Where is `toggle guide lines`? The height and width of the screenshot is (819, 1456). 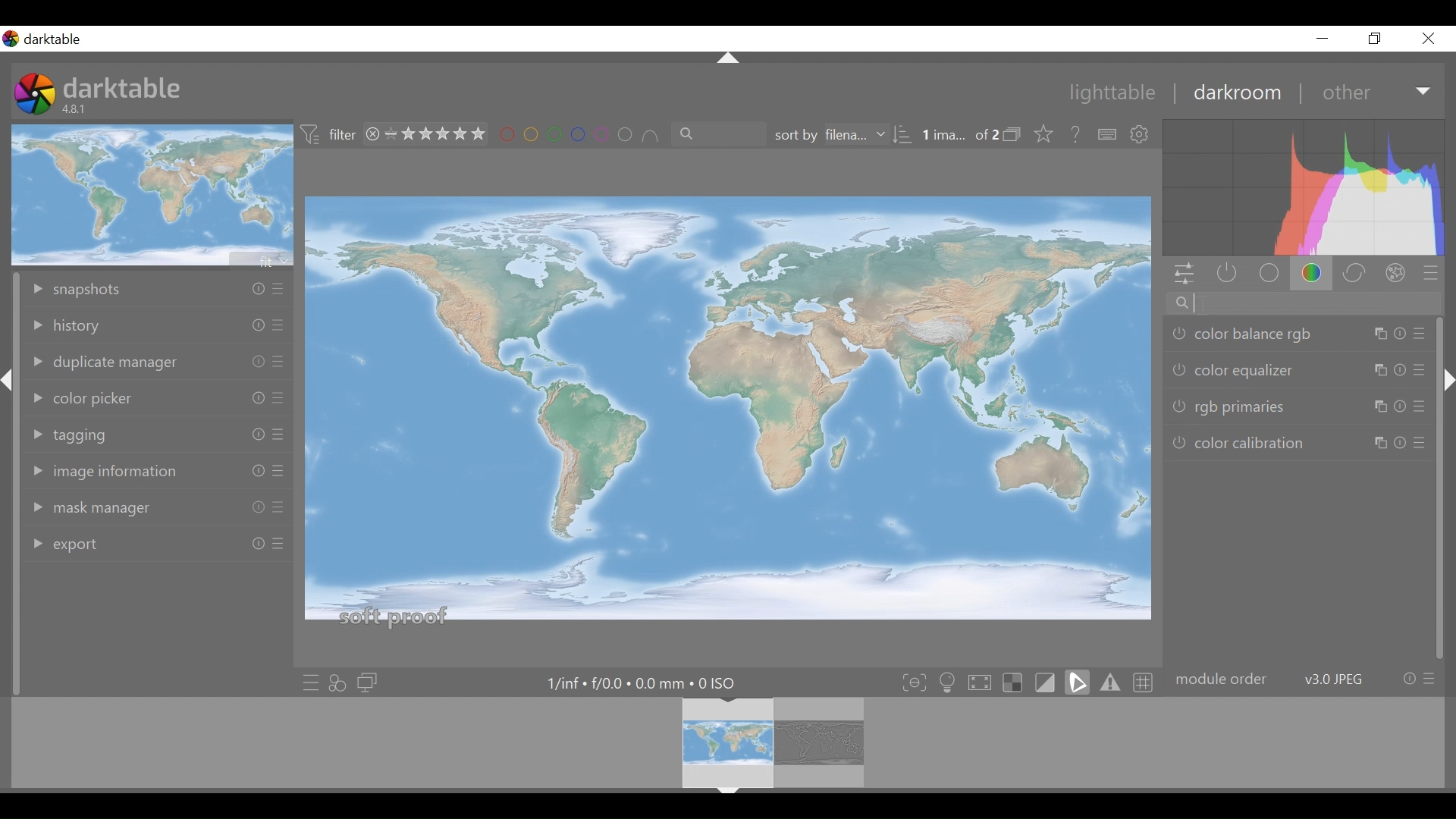
toggle guide lines is located at coordinates (1144, 681).